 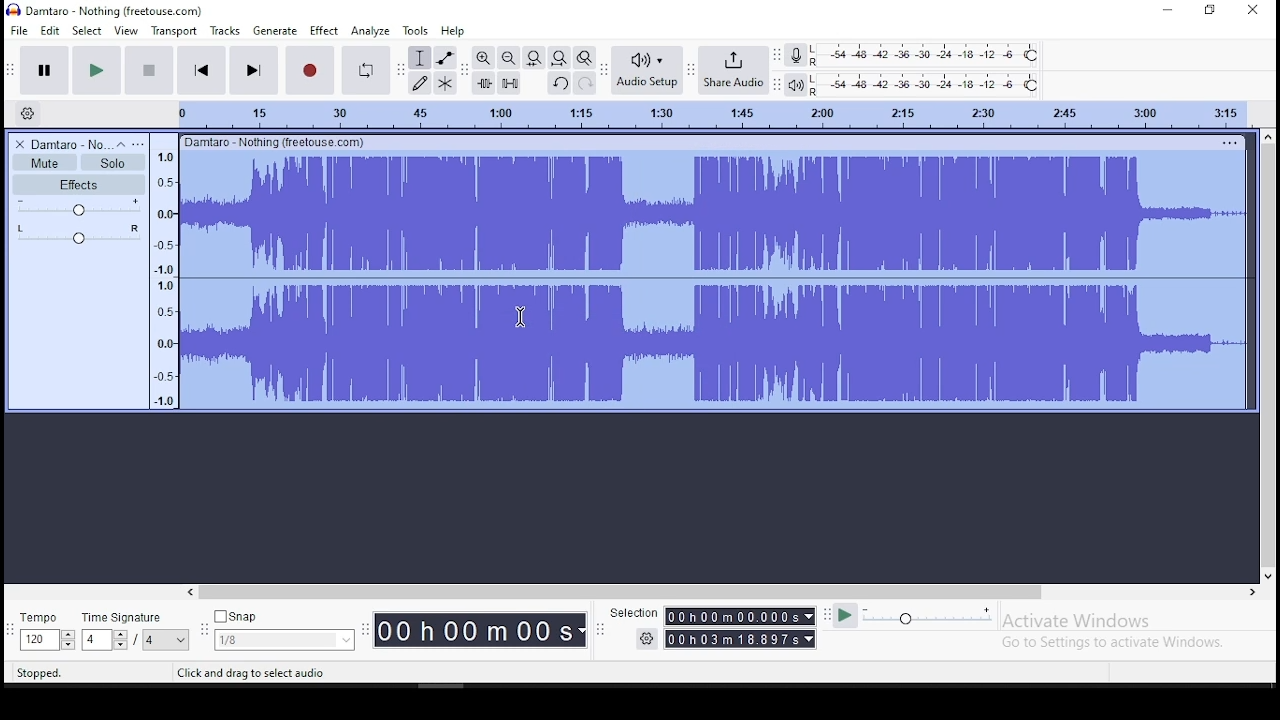 What do you see at coordinates (95, 70) in the screenshot?
I see `play` at bounding box center [95, 70].